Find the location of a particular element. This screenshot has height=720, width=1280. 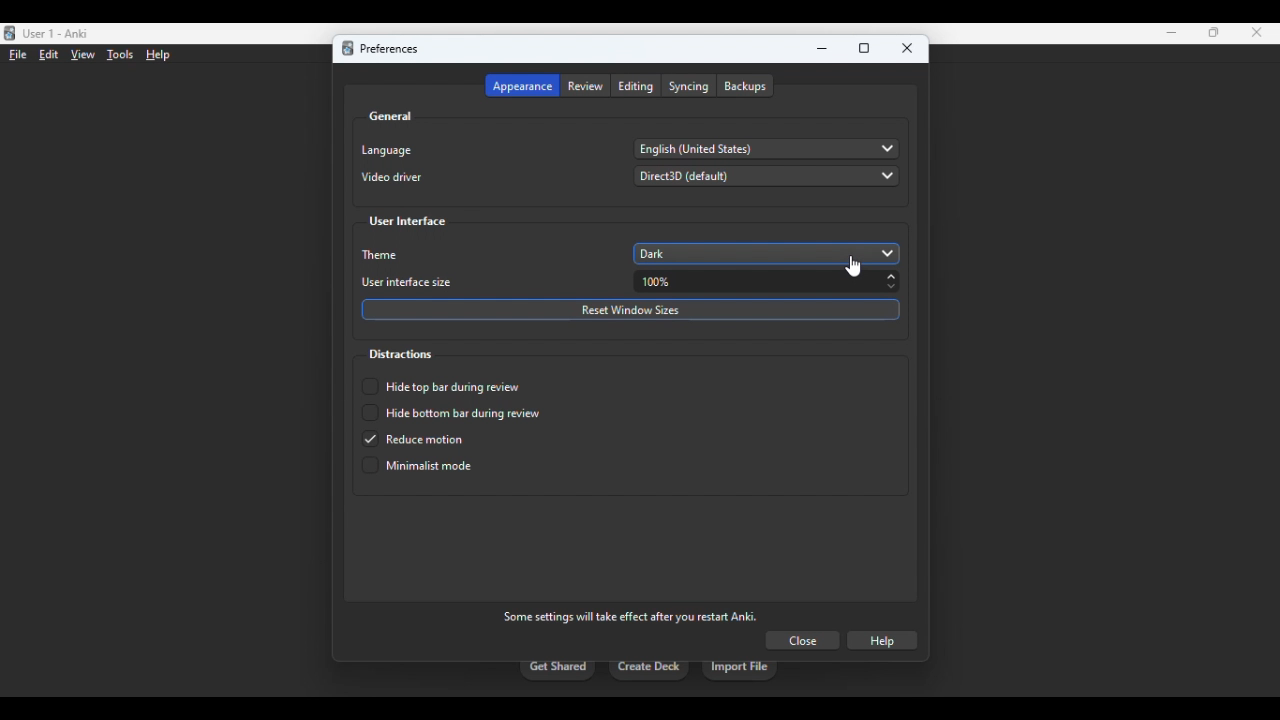

help is located at coordinates (158, 55).